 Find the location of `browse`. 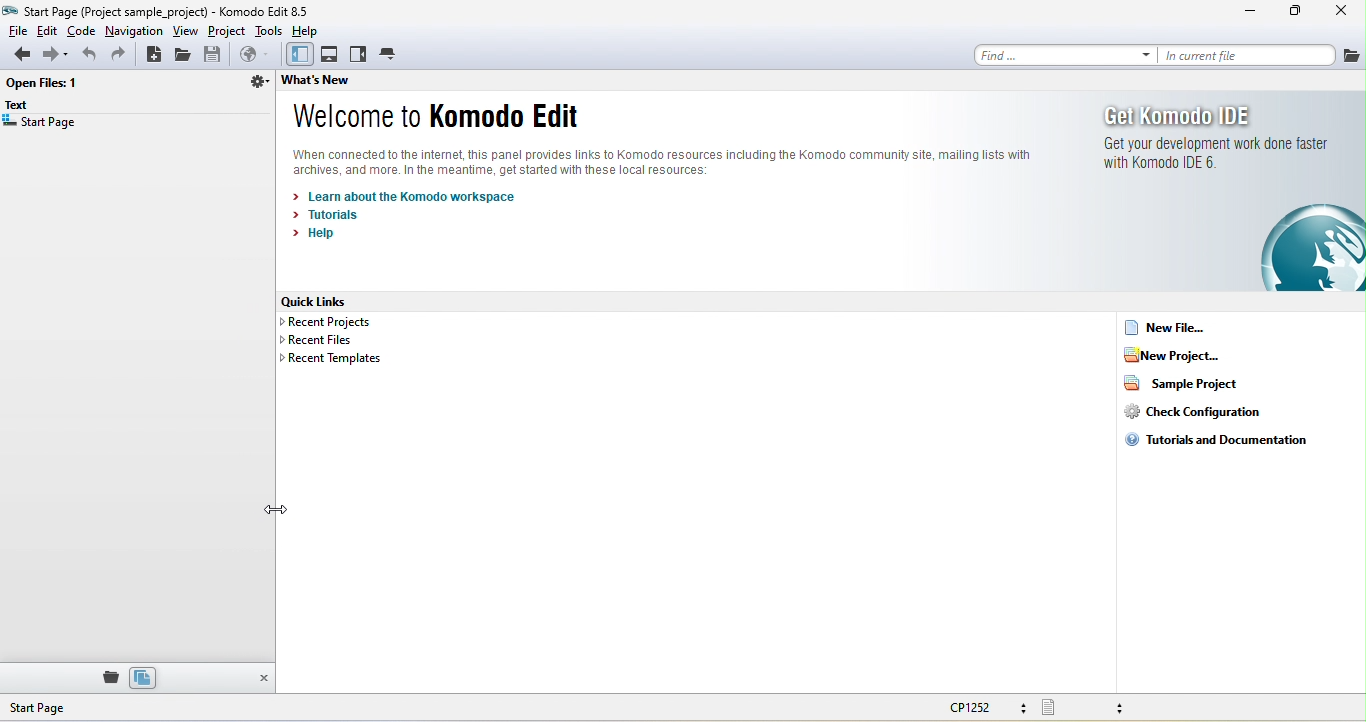

browse is located at coordinates (253, 56).